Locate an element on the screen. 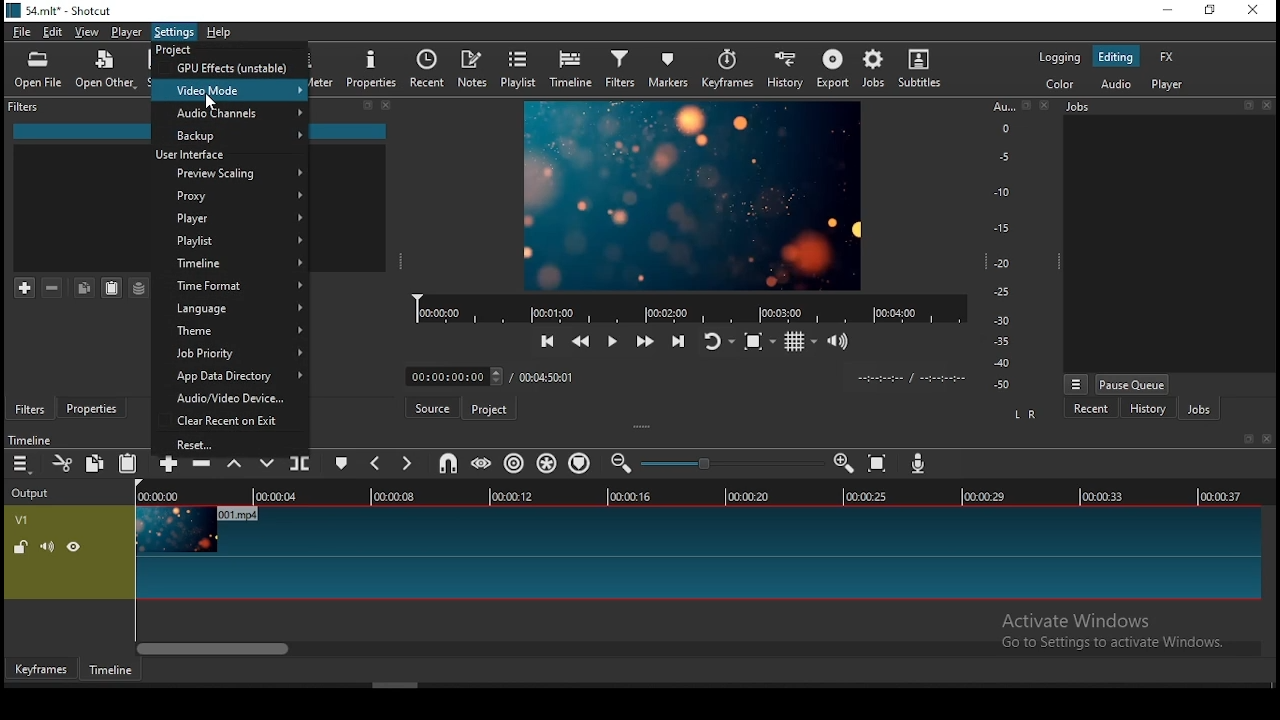 The width and height of the screenshot is (1280, 720). Au... is located at coordinates (1000, 106).